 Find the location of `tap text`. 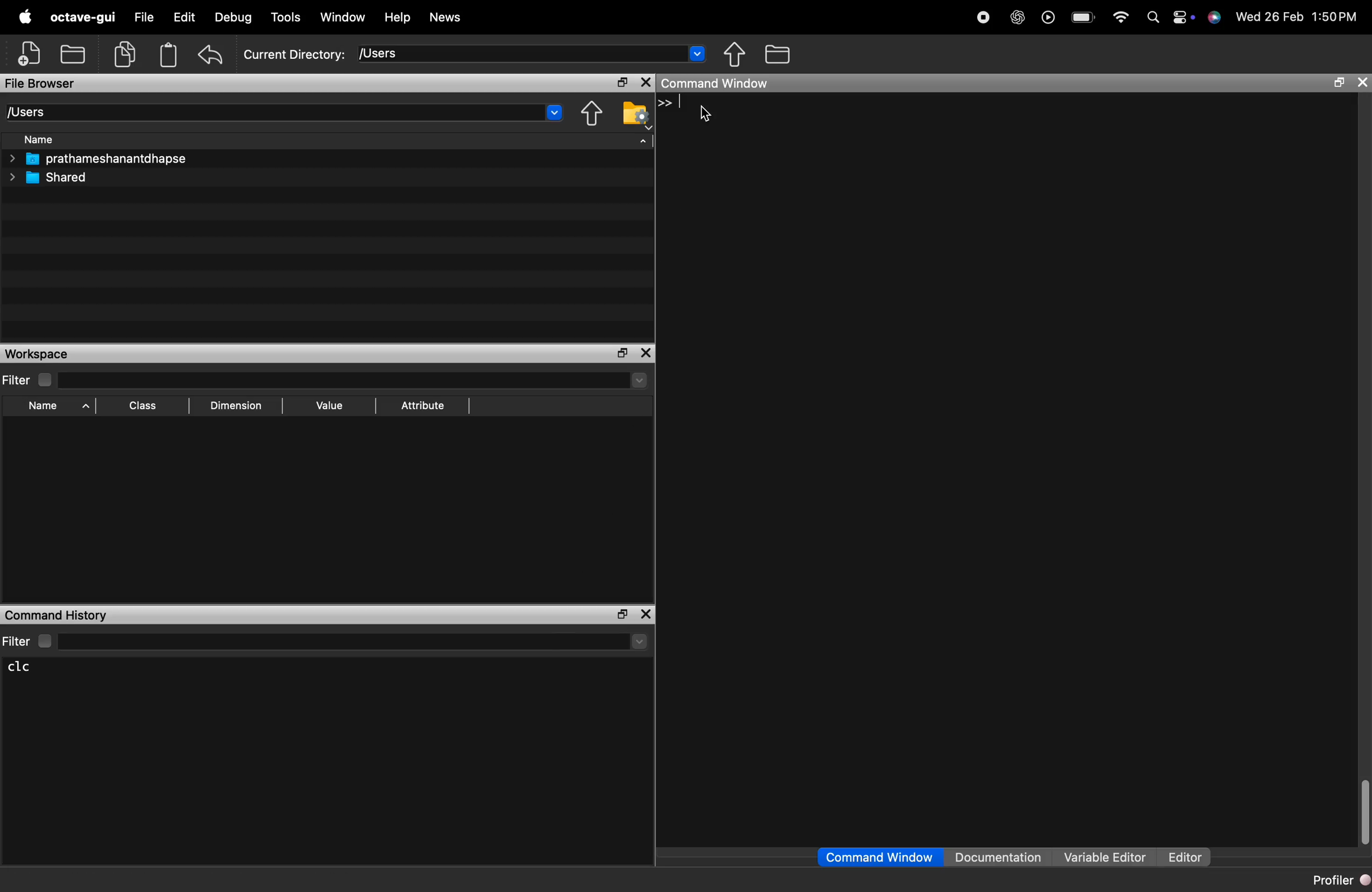

tap text is located at coordinates (682, 104).